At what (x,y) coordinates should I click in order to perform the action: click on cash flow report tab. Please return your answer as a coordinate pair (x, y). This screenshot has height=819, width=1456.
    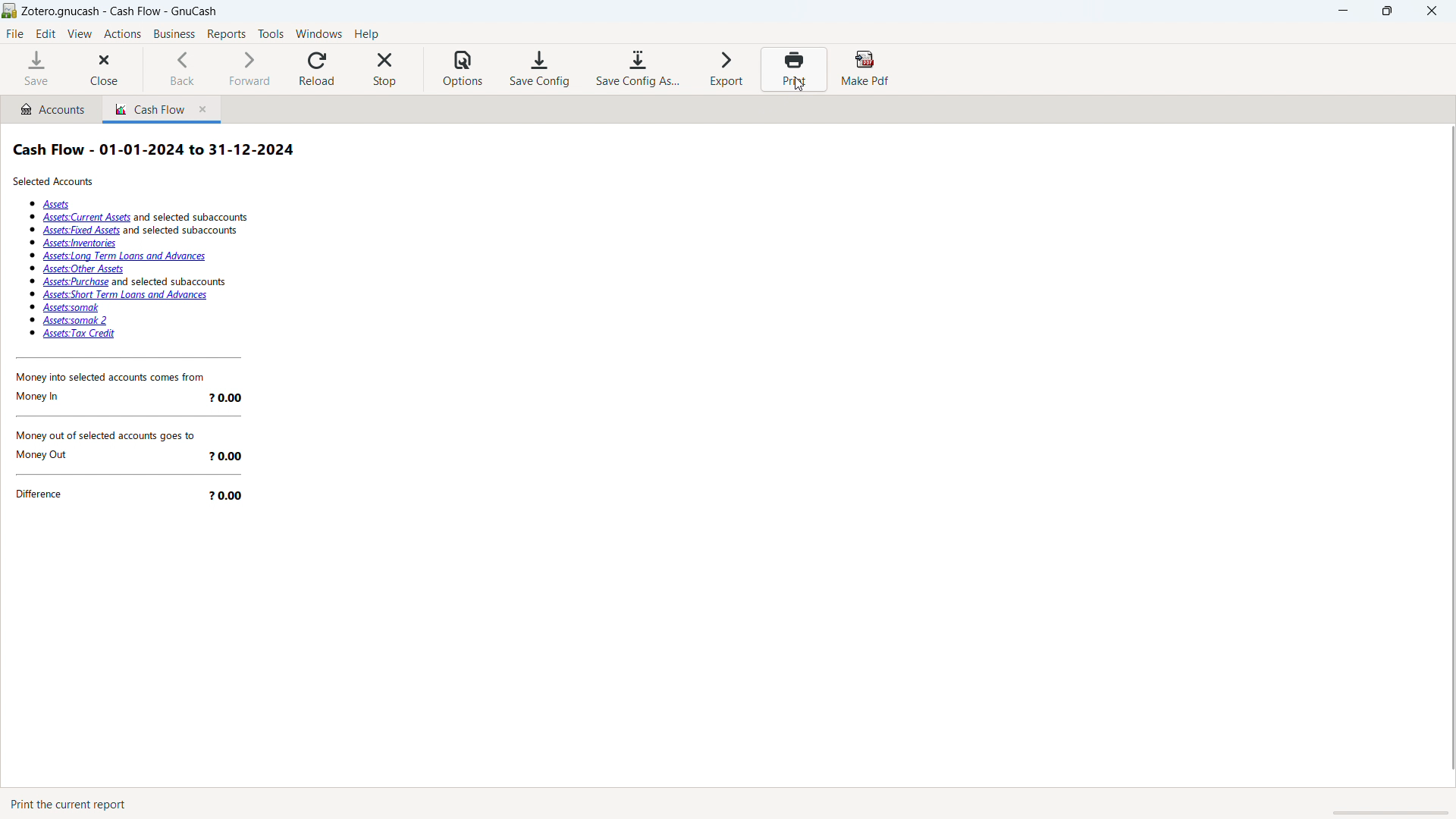
    Looking at the image, I should click on (146, 109).